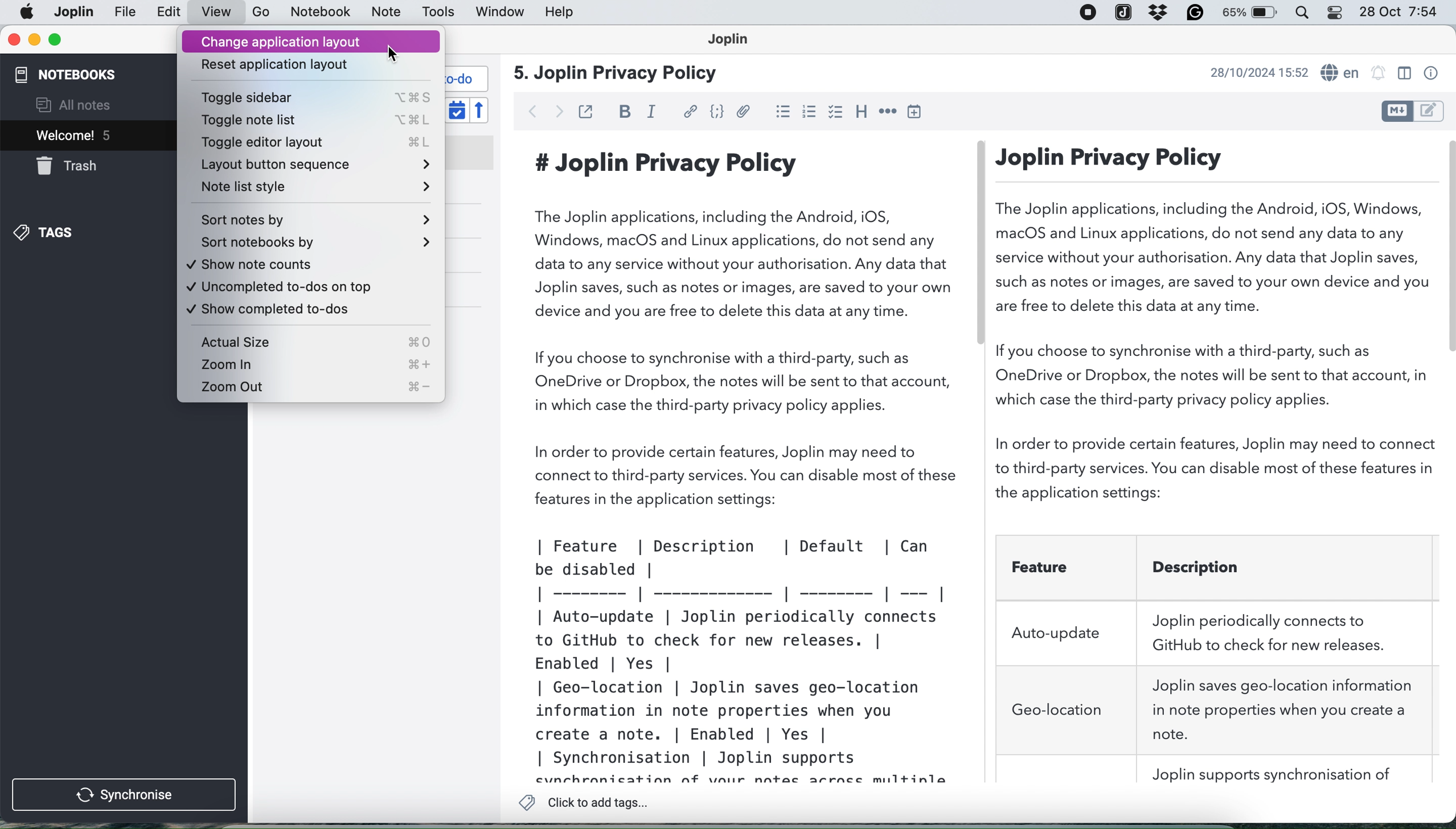  What do you see at coordinates (546, 110) in the screenshot?
I see `navigation buttons` at bounding box center [546, 110].